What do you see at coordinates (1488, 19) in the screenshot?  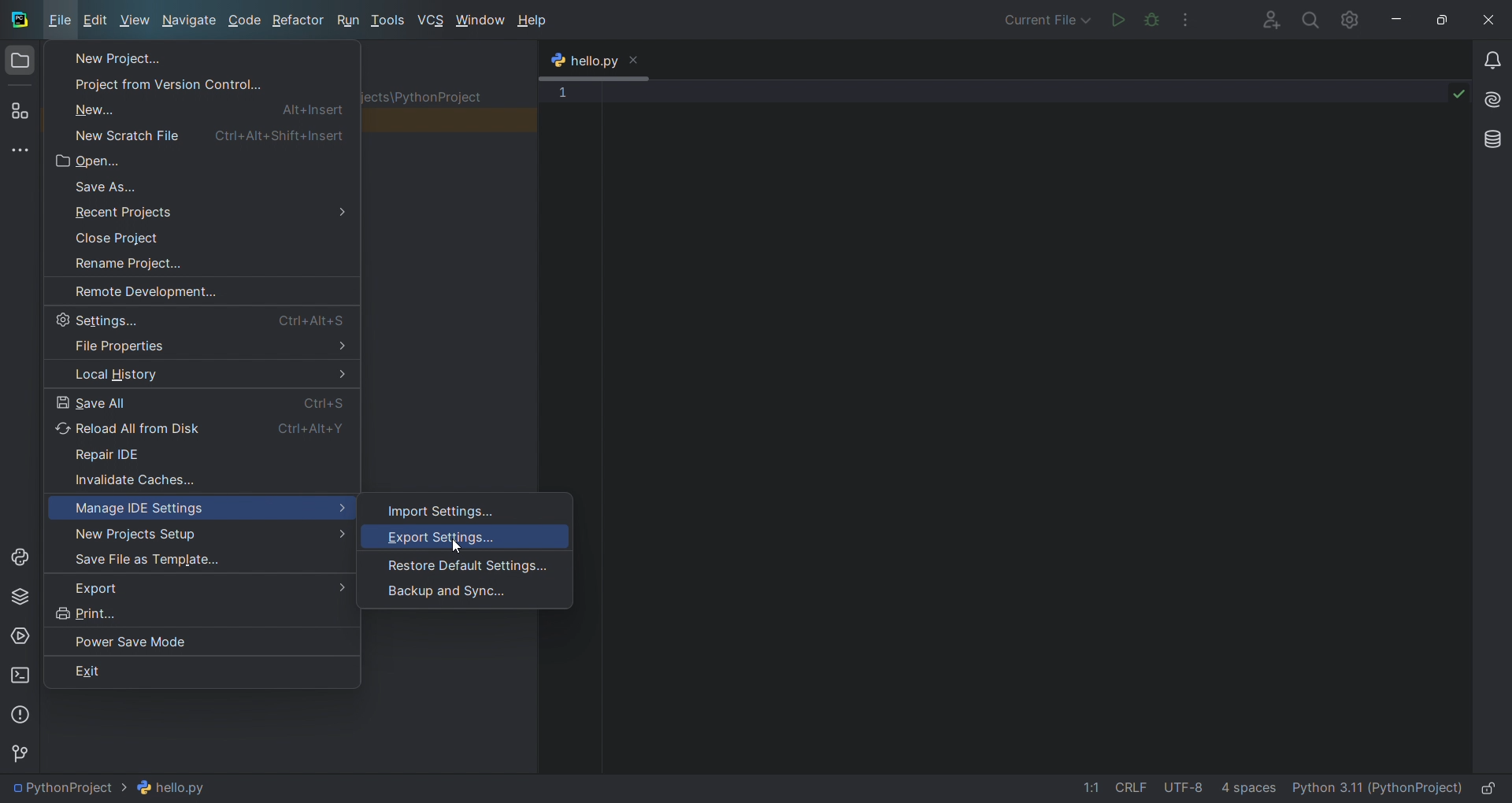 I see `close` at bounding box center [1488, 19].